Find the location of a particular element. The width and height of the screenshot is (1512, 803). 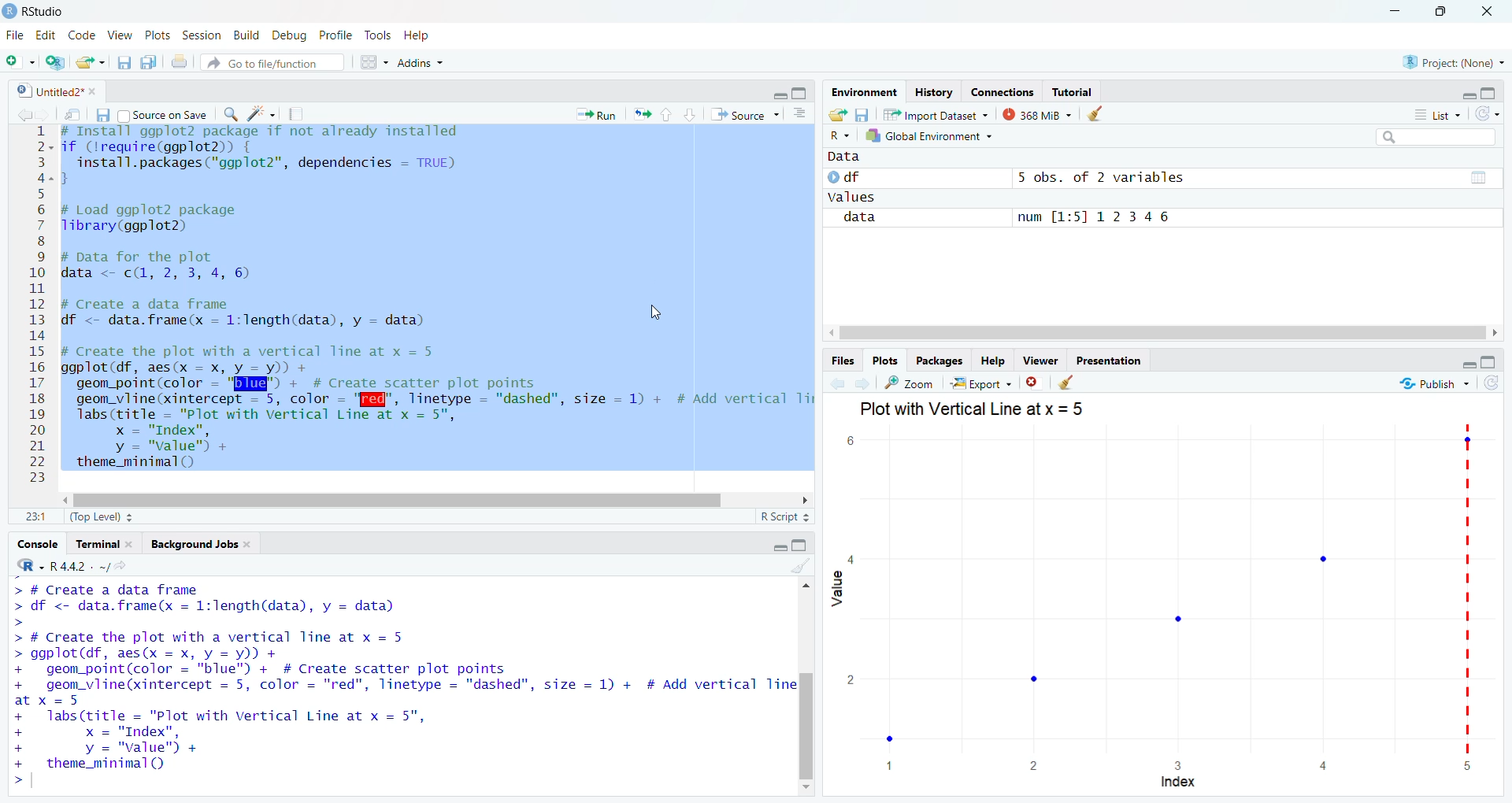

search is located at coordinates (229, 114).